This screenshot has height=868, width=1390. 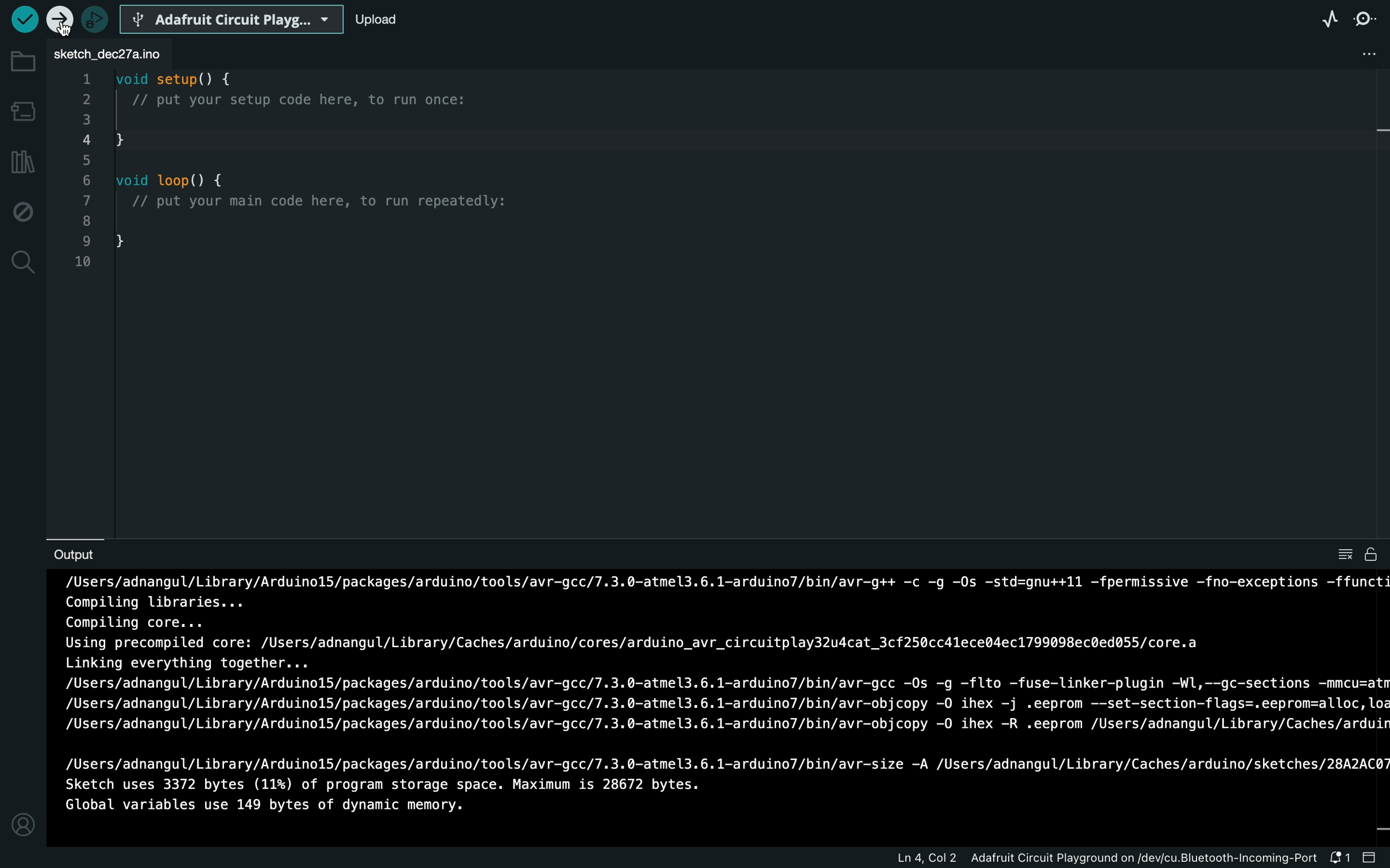 What do you see at coordinates (315, 180) in the screenshot?
I see `code` at bounding box center [315, 180].